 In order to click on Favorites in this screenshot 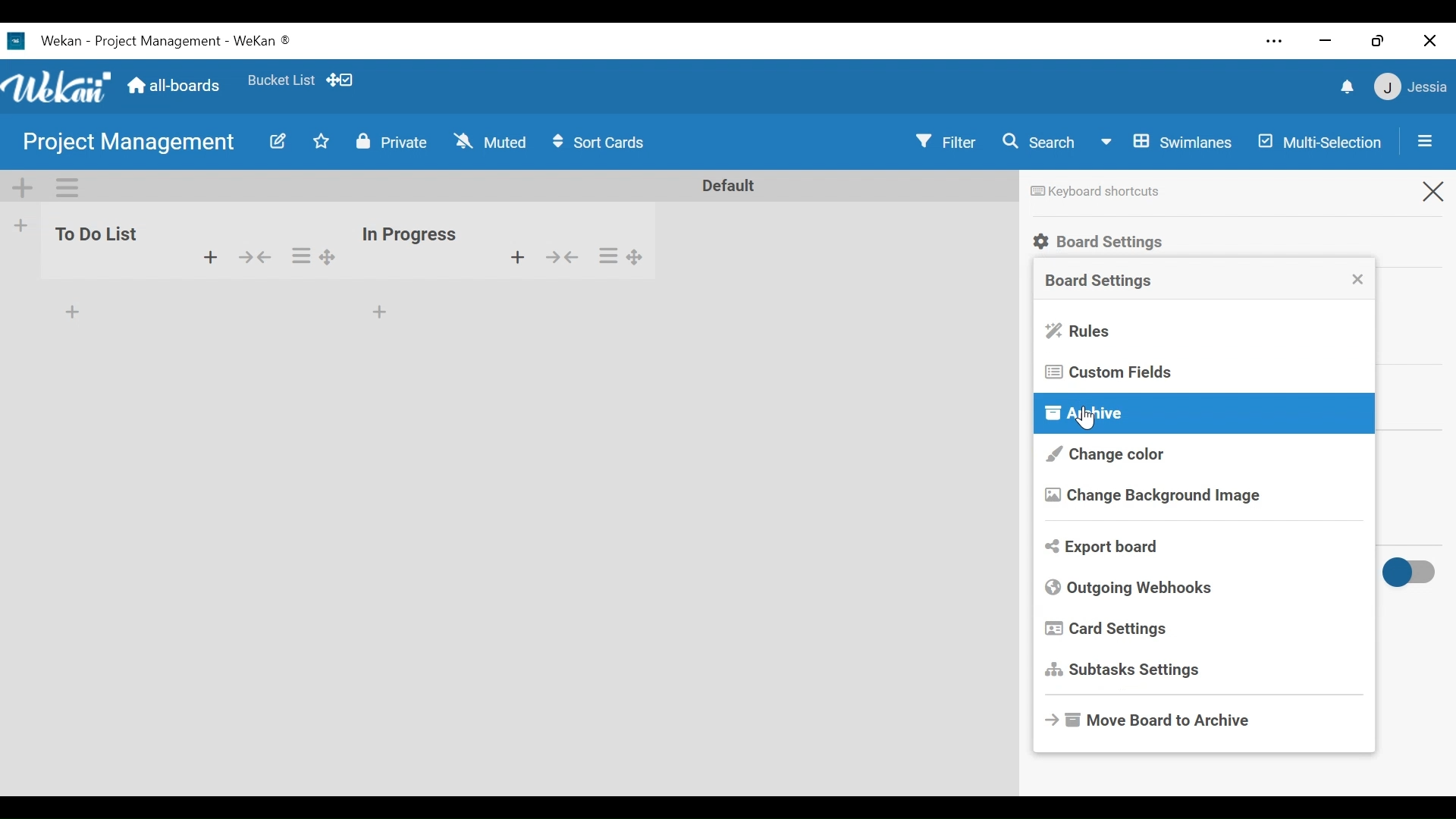, I will do `click(283, 82)`.